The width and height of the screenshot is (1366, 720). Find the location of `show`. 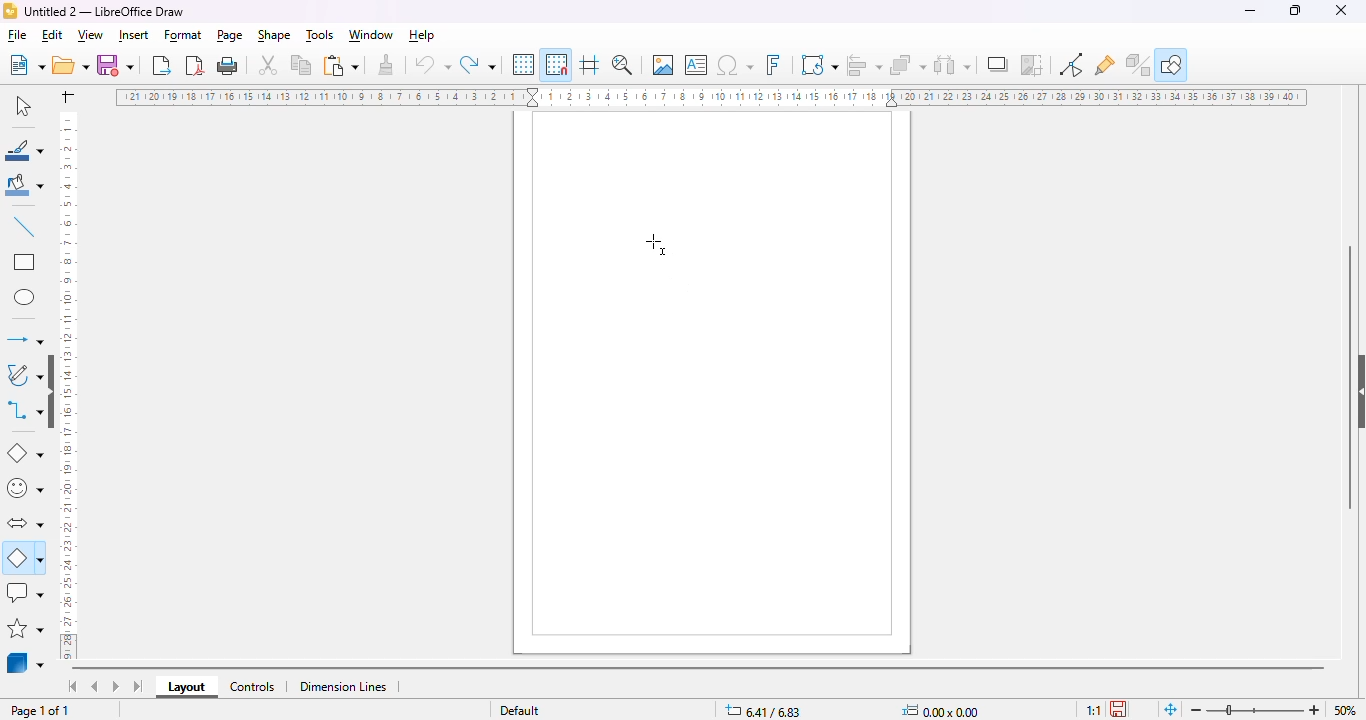

show is located at coordinates (53, 392).